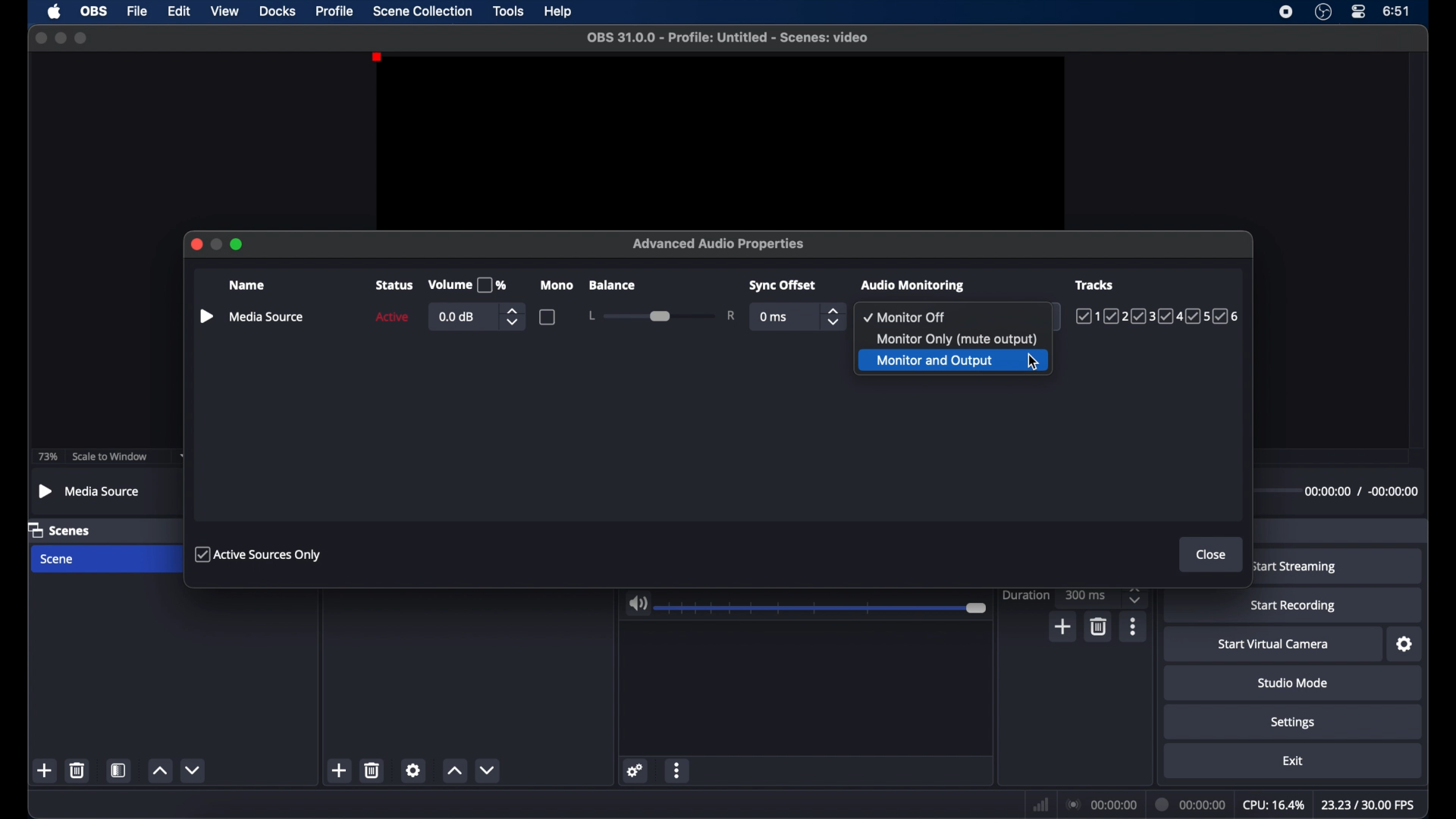 Image resolution: width=1456 pixels, height=819 pixels. Describe the element at coordinates (635, 772) in the screenshot. I see `settings` at that location.